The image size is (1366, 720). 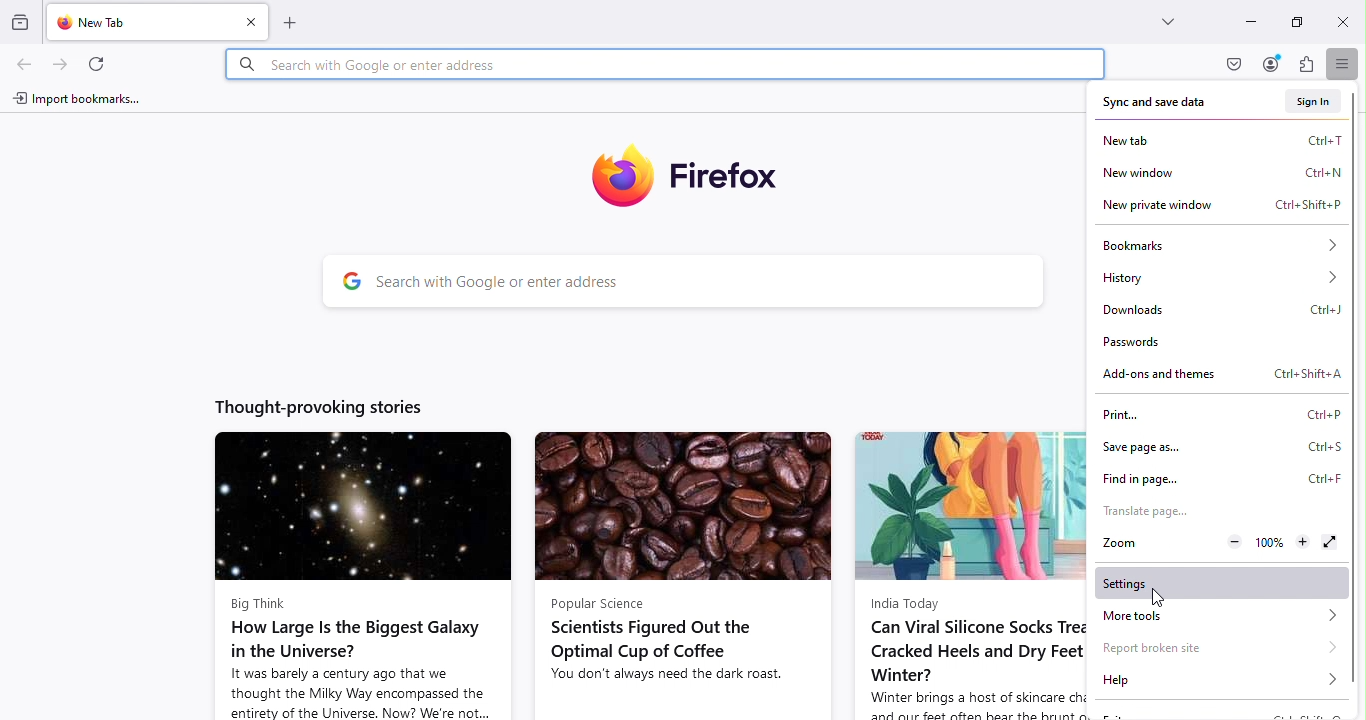 What do you see at coordinates (1273, 63) in the screenshot?
I see `Account` at bounding box center [1273, 63].